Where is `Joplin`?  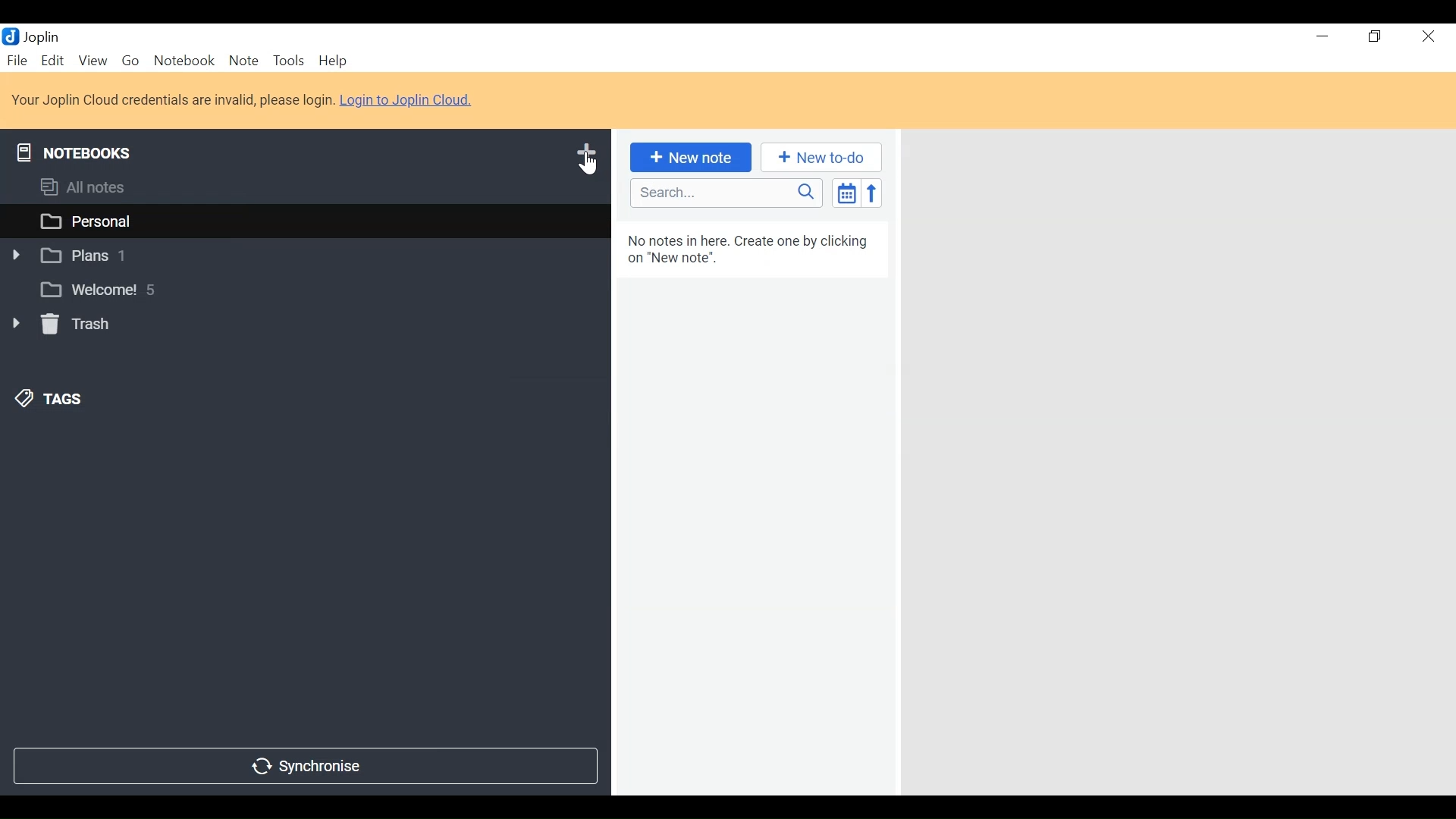 Joplin is located at coordinates (47, 37).